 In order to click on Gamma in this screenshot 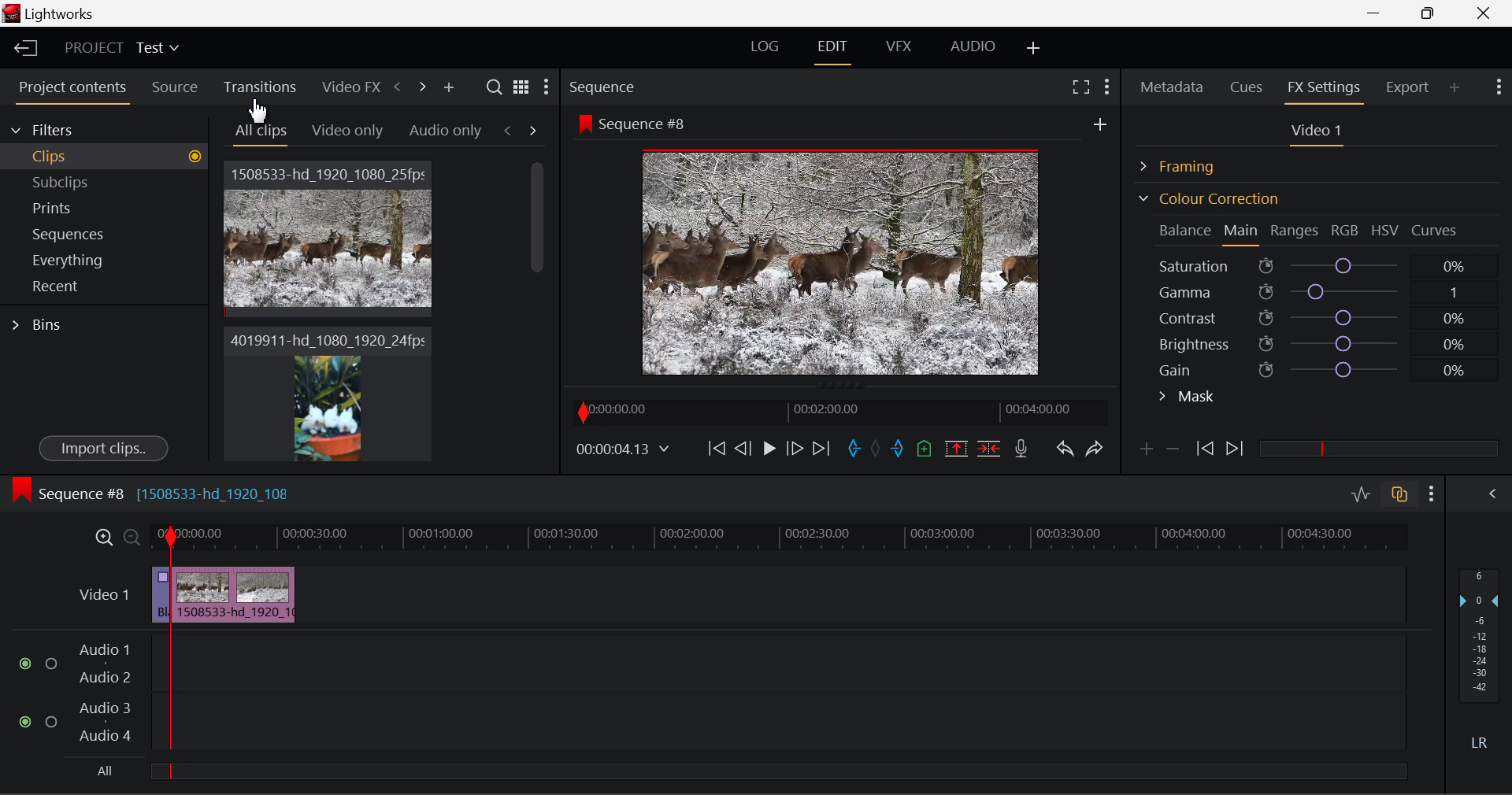, I will do `click(1320, 292)`.